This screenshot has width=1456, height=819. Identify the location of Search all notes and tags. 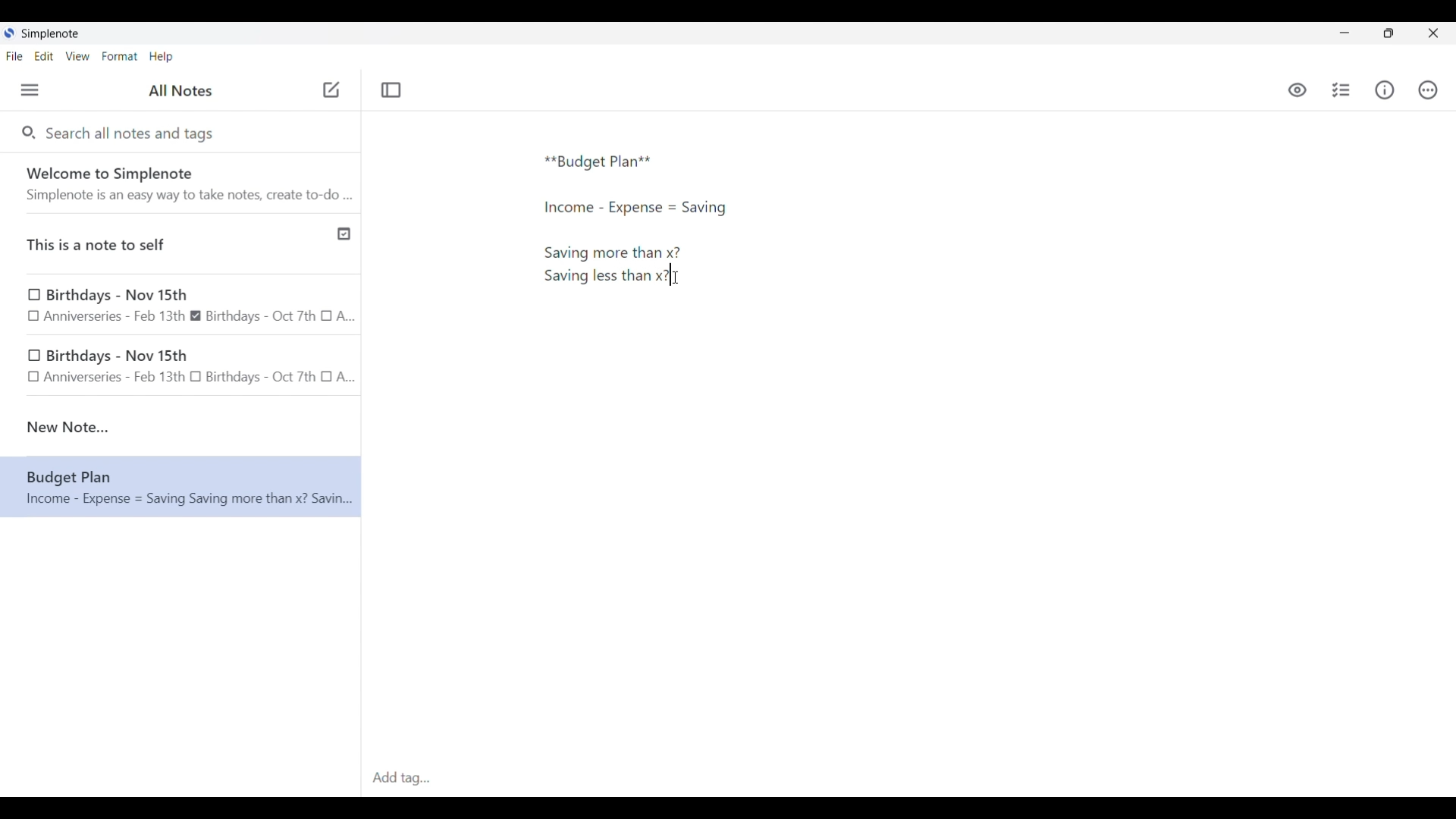
(133, 132).